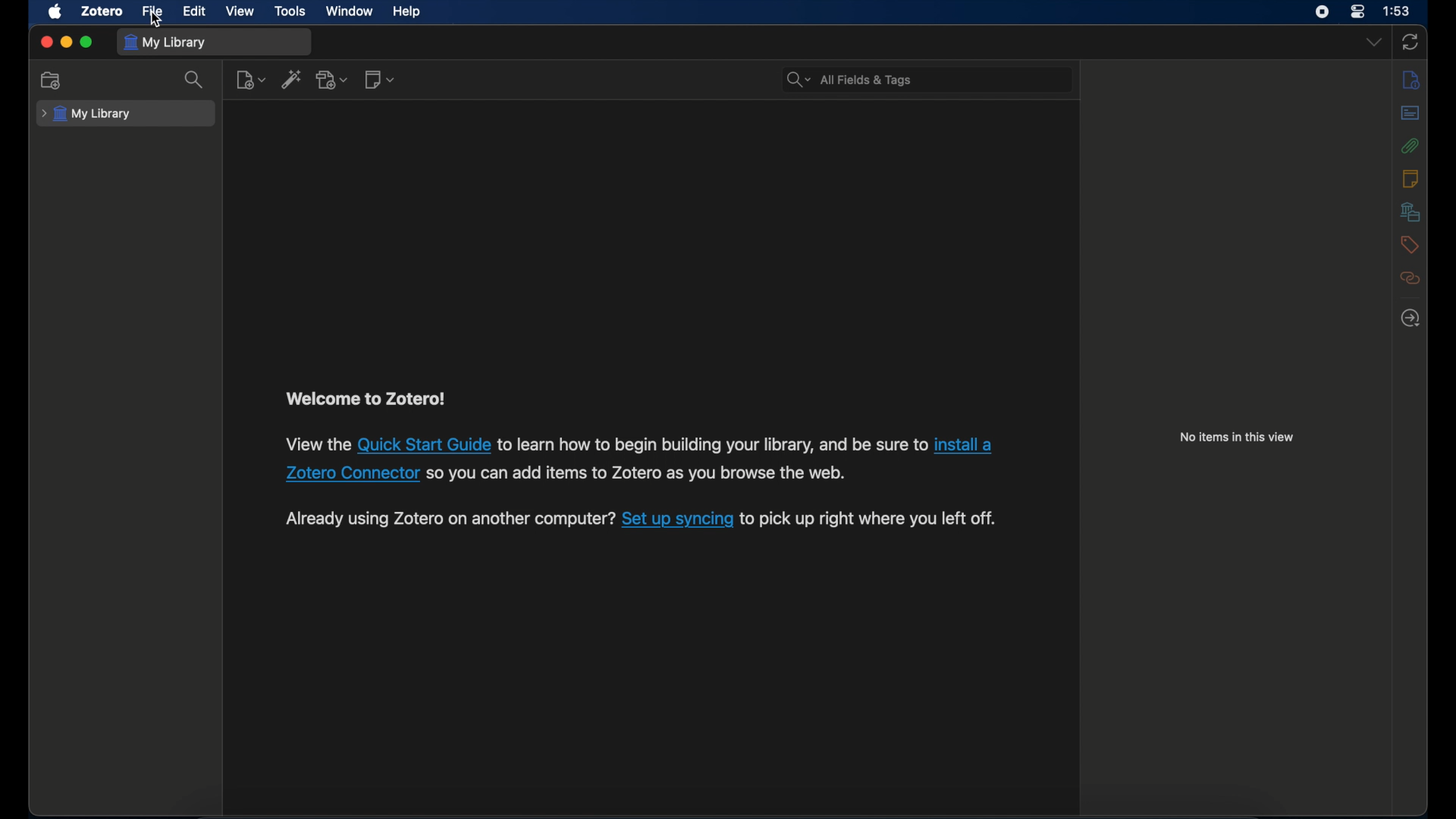 The image size is (1456, 819). Describe the element at coordinates (1410, 212) in the screenshot. I see `libraries` at that location.